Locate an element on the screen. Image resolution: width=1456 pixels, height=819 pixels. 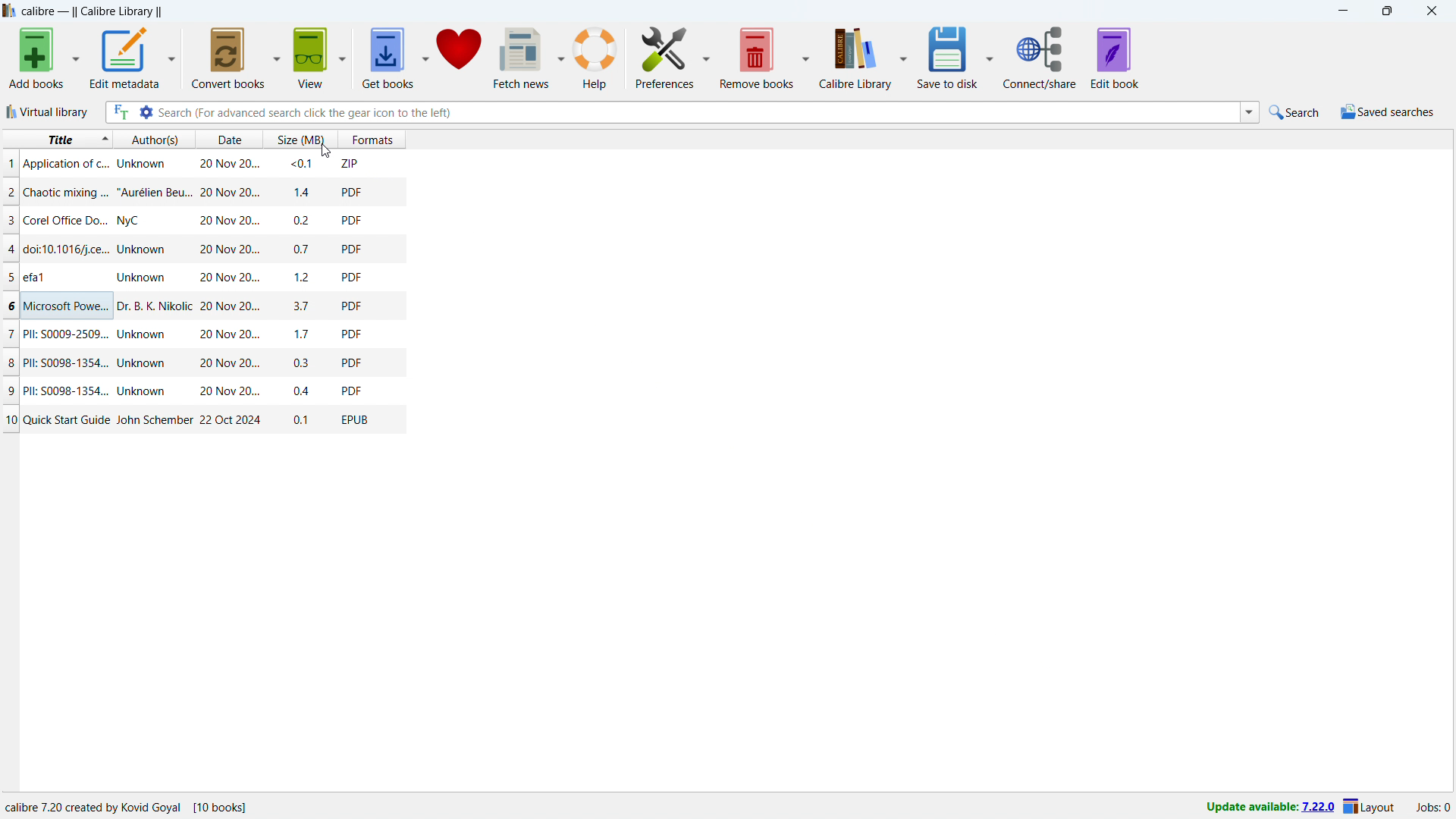
author is located at coordinates (143, 164).